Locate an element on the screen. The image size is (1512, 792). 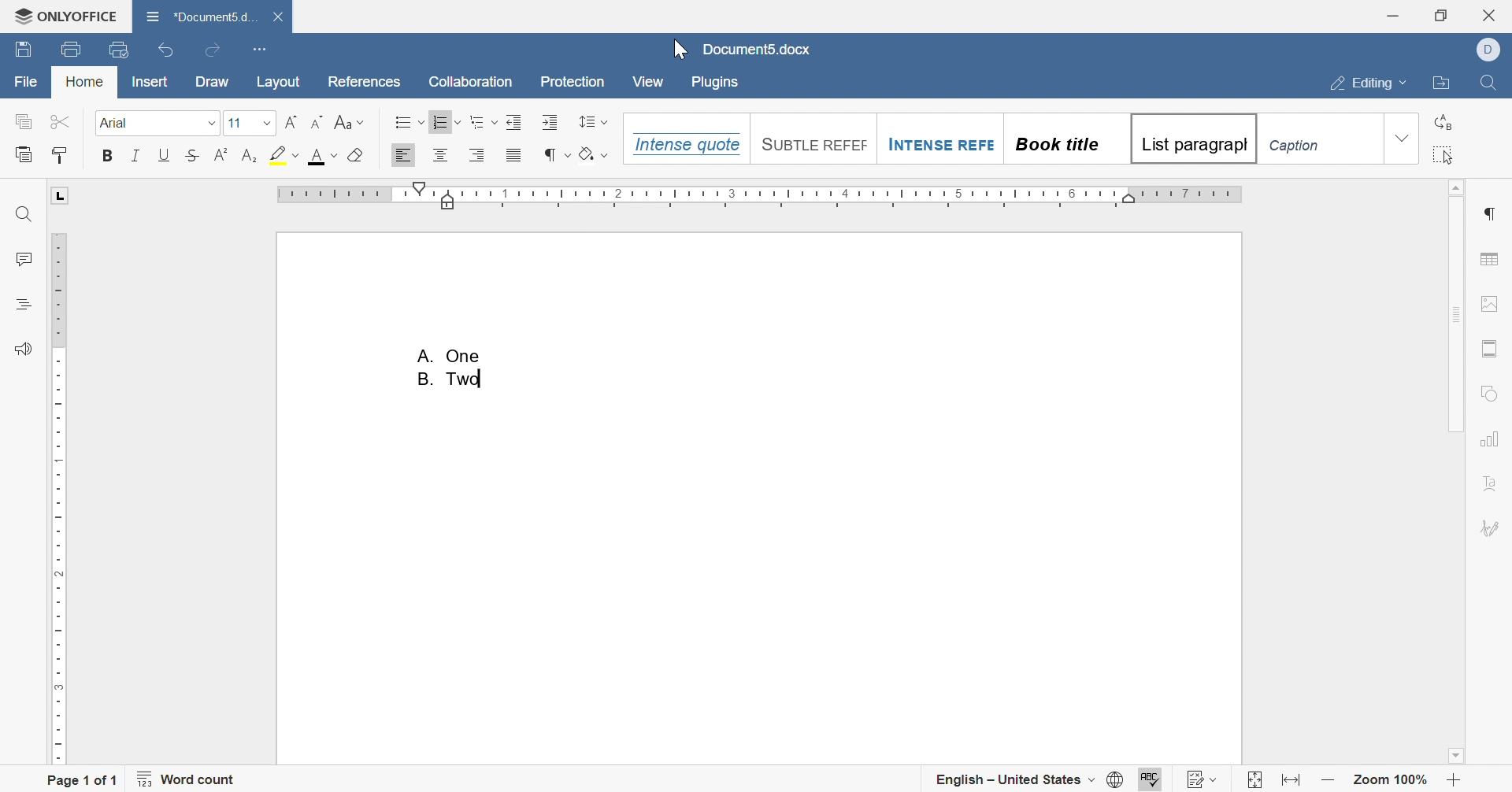
increase indent is located at coordinates (551, 121).